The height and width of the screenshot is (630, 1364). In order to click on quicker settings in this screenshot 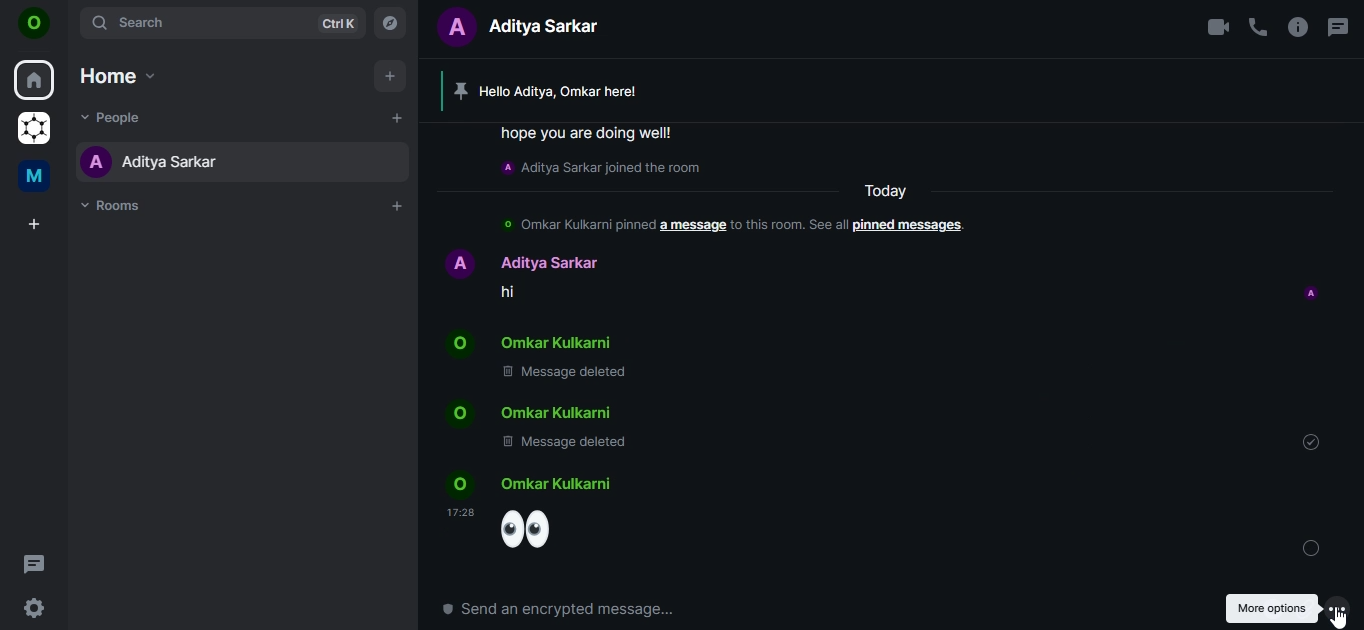, I will do `click(32, 609)`.